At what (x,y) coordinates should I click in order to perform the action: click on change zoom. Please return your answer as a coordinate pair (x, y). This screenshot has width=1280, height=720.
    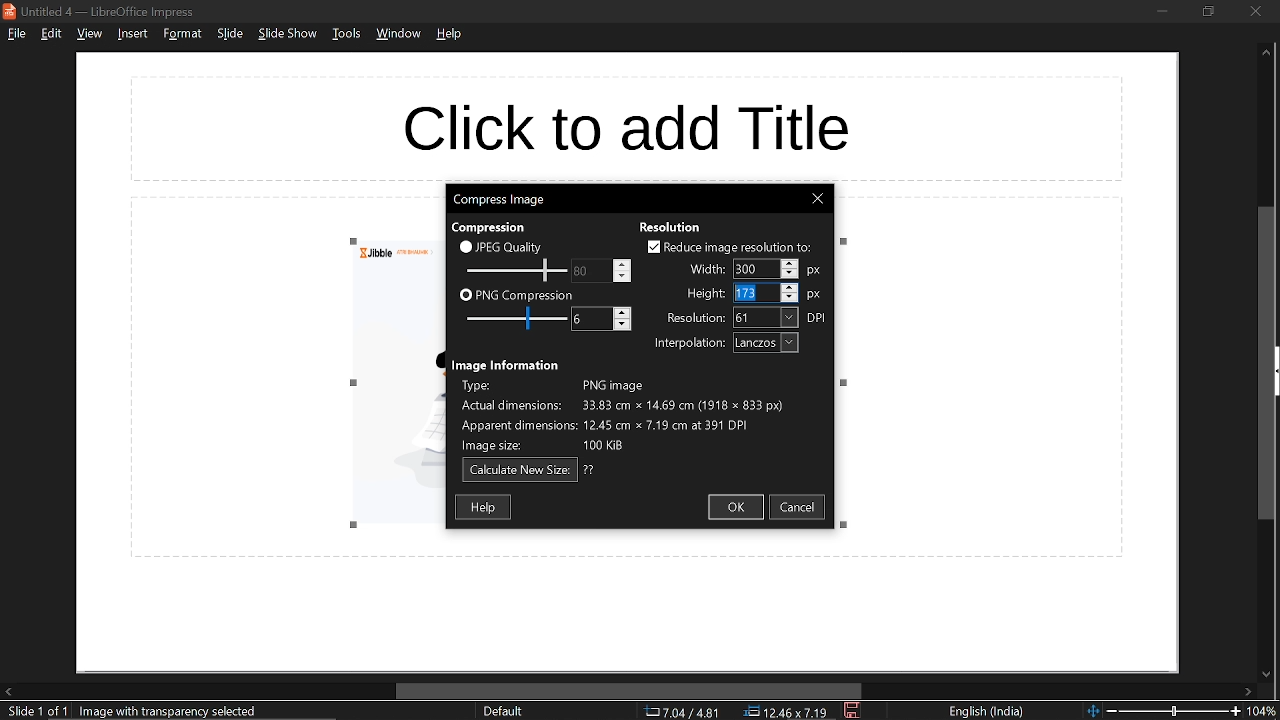
    Looking at the image, I should click on (1162, 712).